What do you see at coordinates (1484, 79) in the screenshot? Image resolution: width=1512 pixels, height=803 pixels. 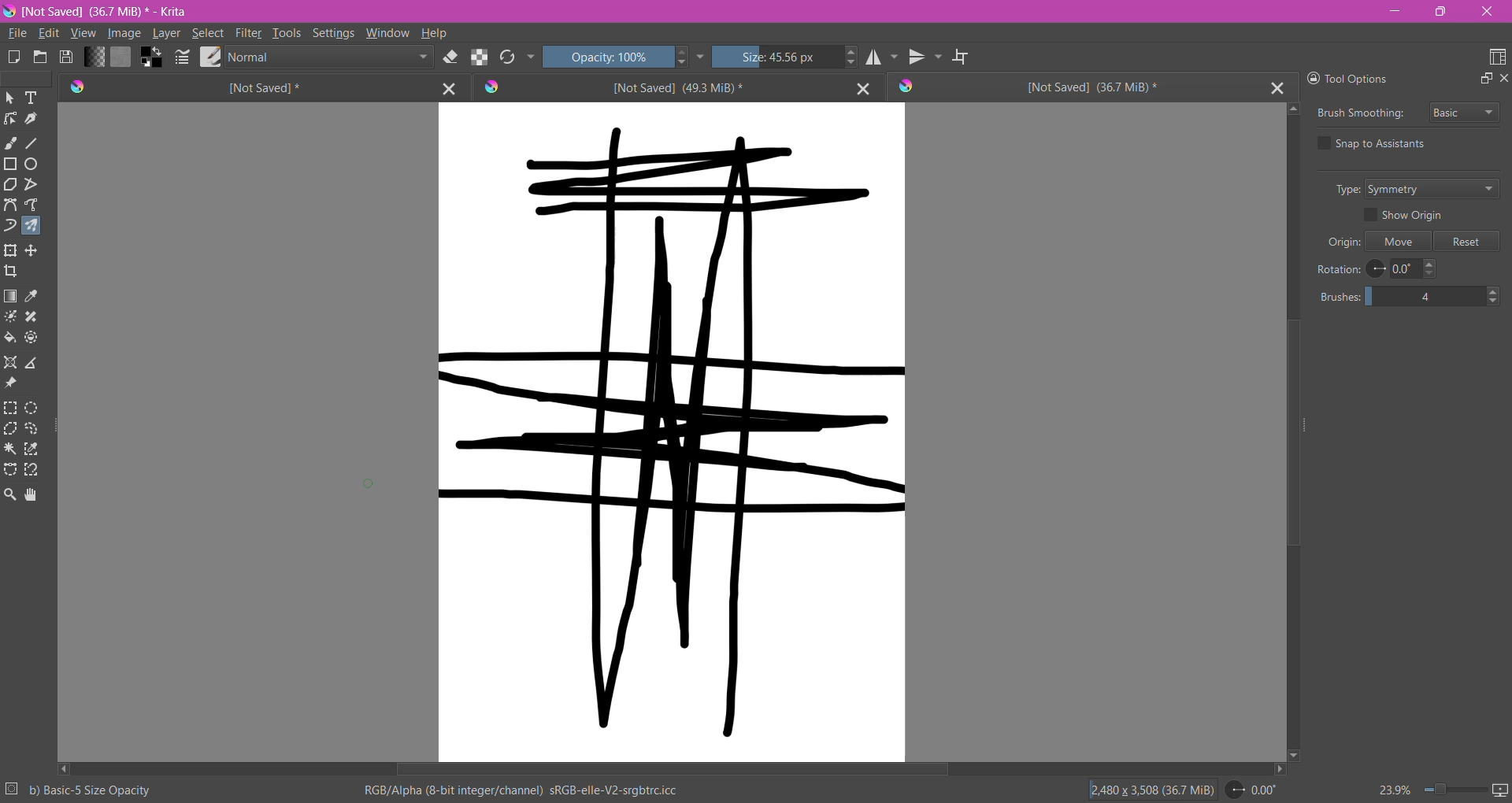 I see `Float Docker` at bounding box center [1484, 79].